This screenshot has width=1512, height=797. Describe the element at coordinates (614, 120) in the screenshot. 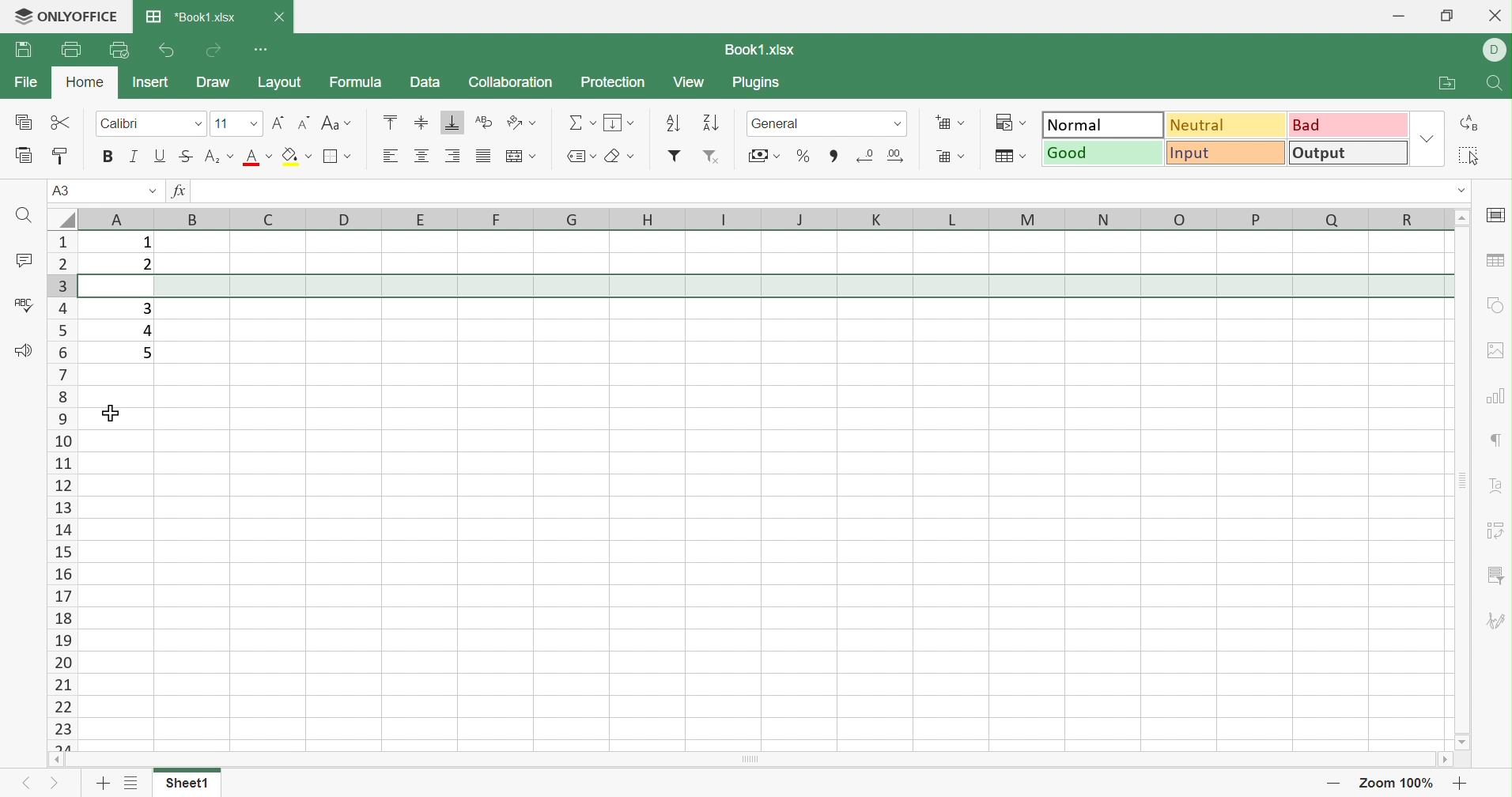

I see `Fill` at that location.